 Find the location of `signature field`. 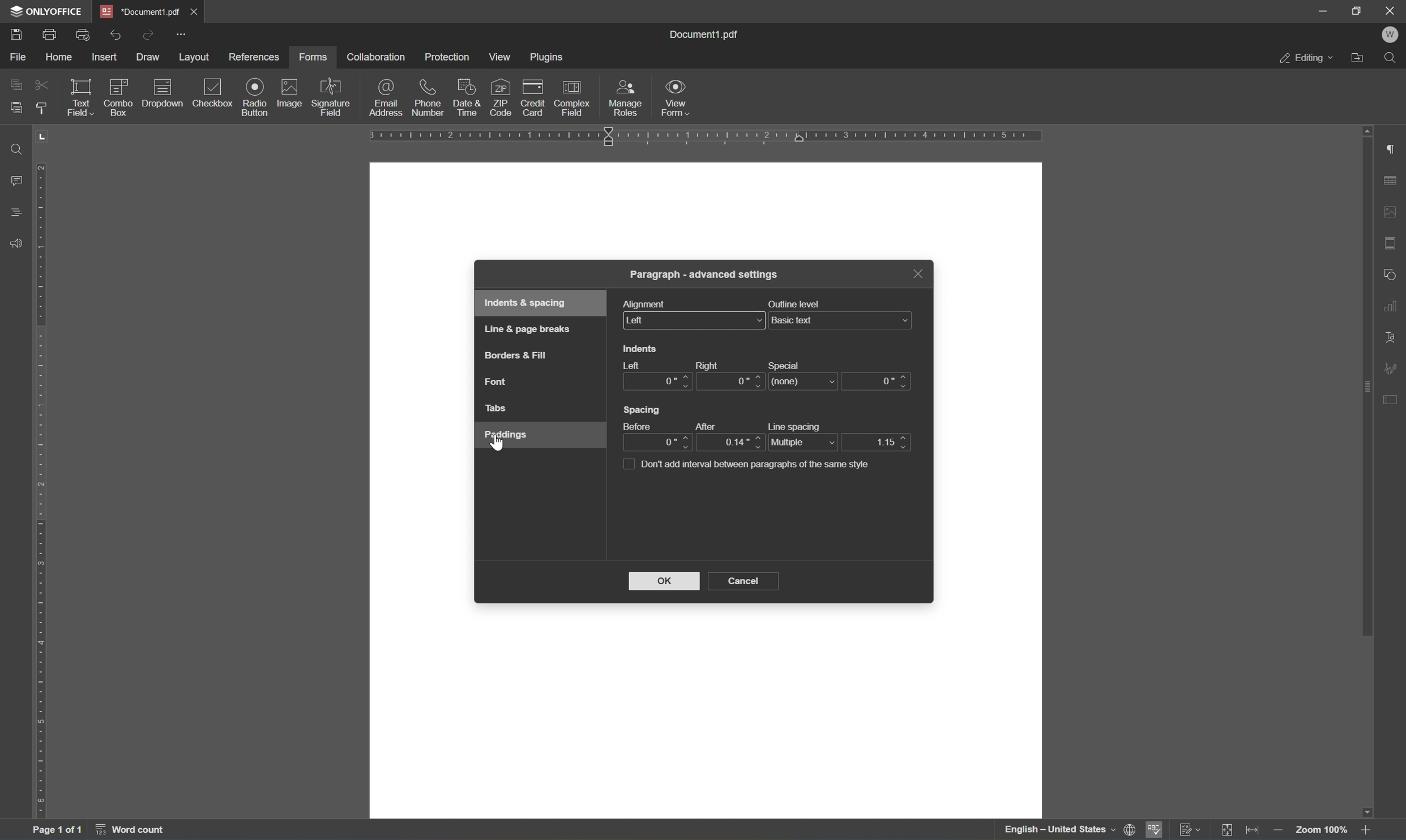

signature field is located at coordinates (331, 98).